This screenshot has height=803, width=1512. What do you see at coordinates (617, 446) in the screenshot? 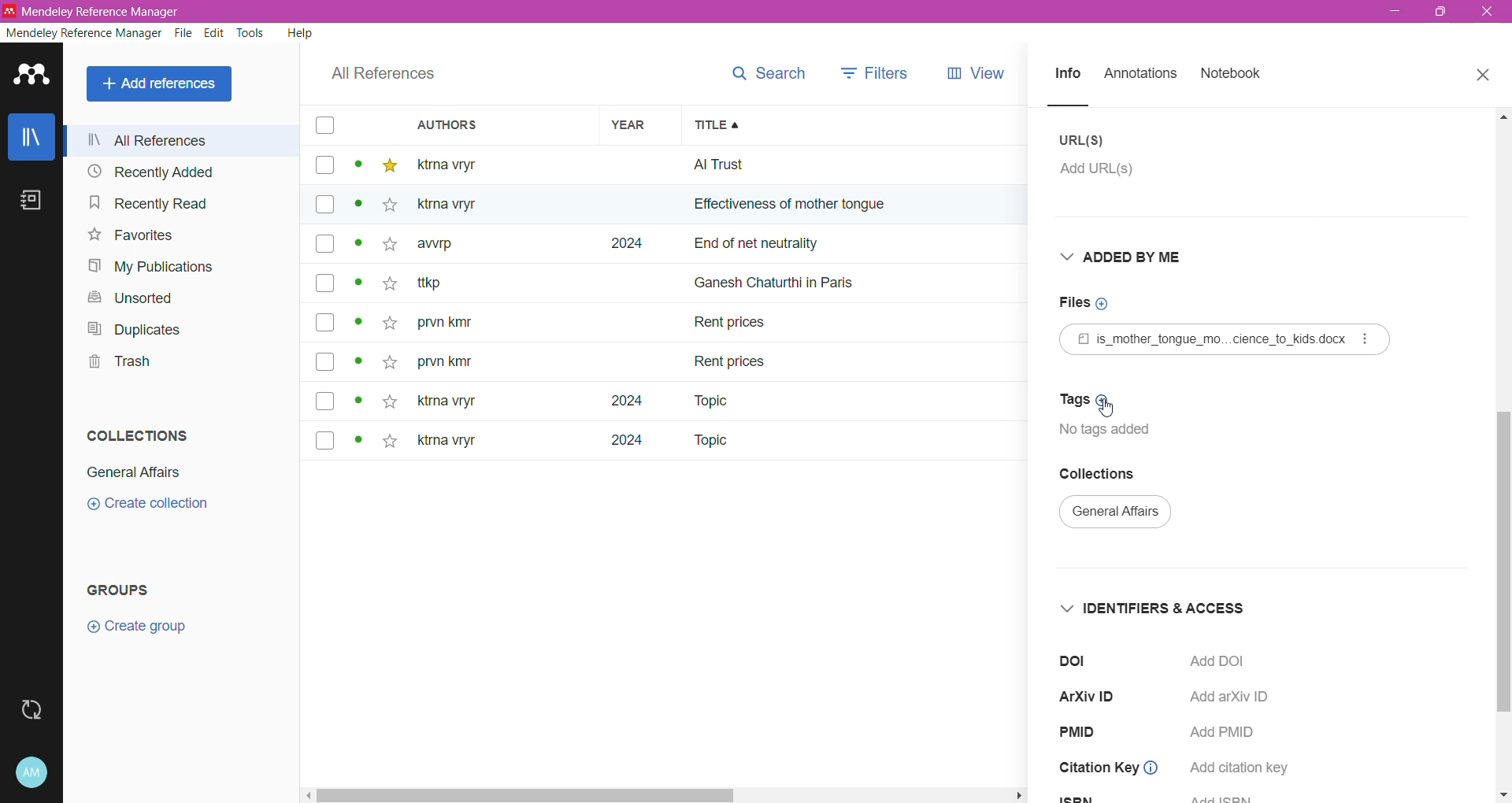
I see `2024` at bounding box center [617, 446].